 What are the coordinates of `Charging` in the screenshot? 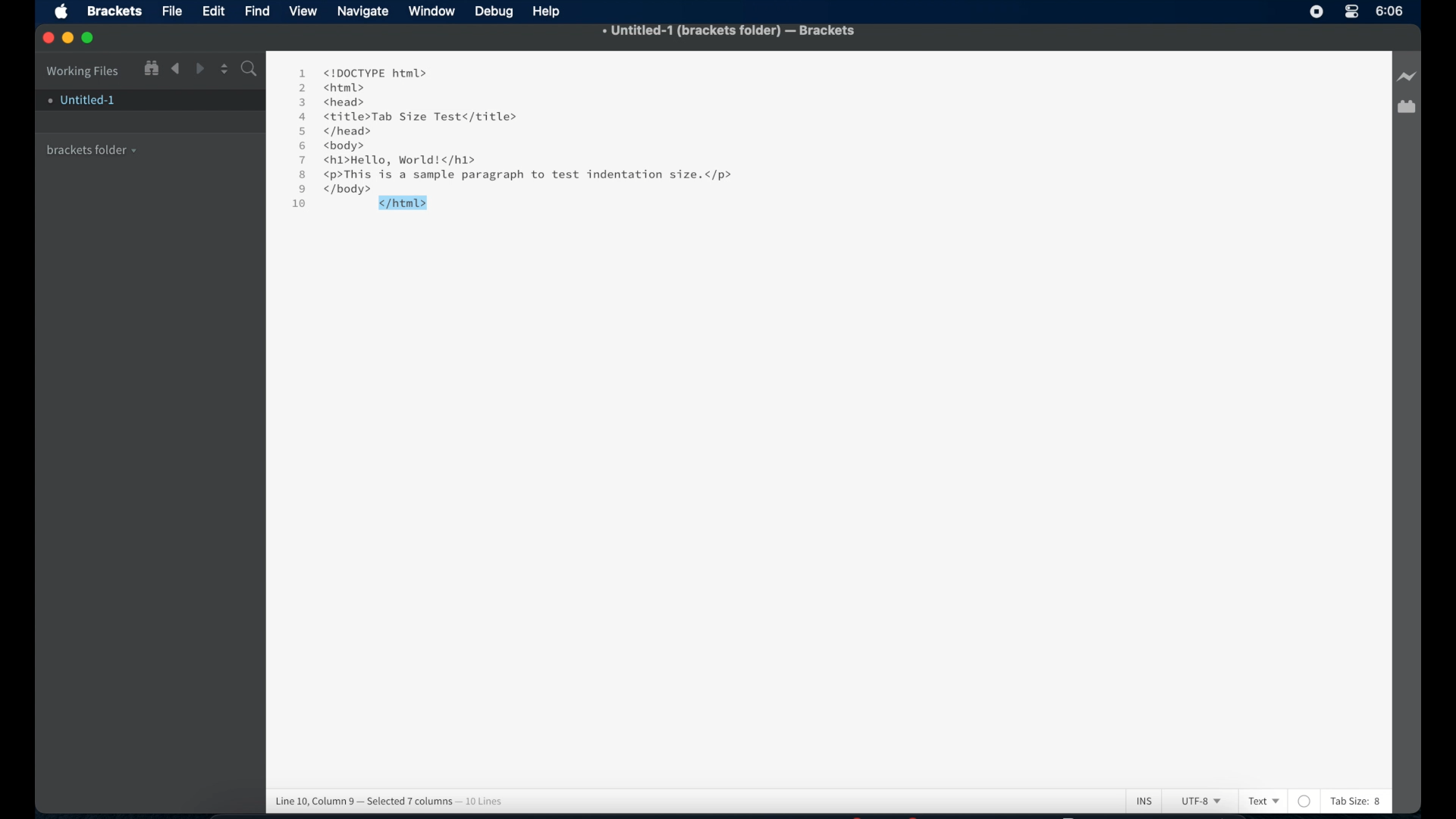 It's located at (1406, 77).